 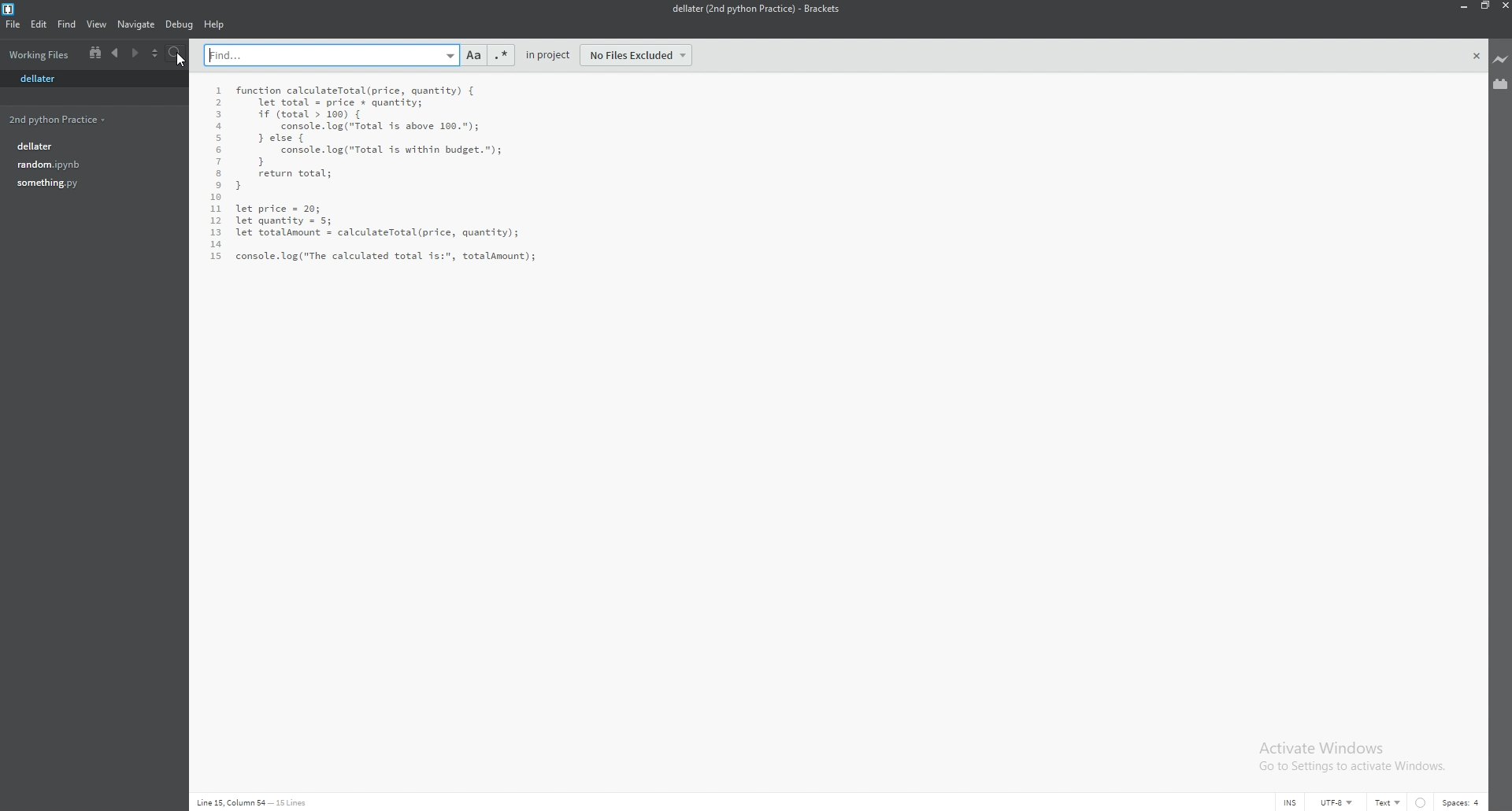 I want to click on 12, so click(x=217, y=222).